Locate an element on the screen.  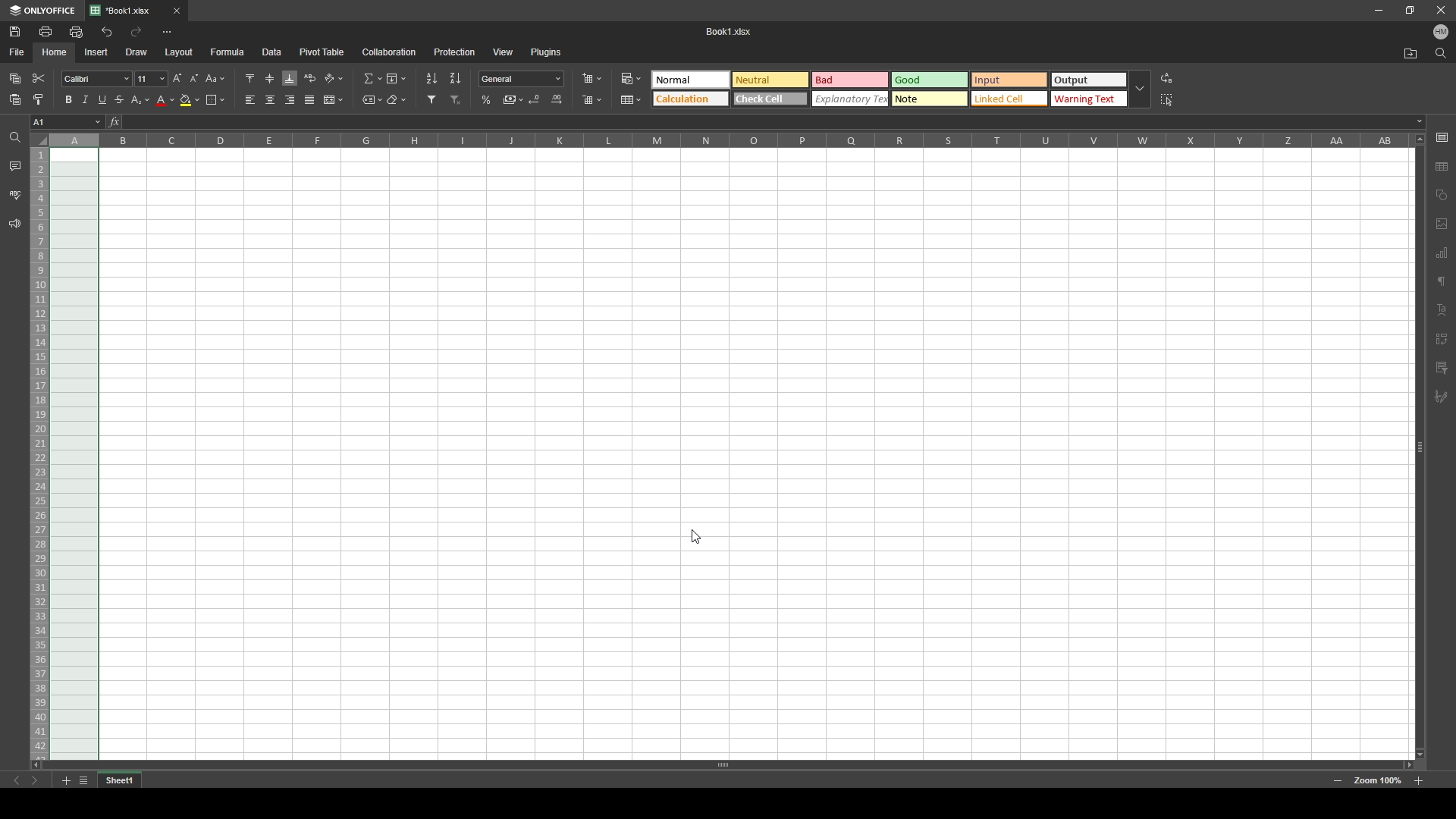
text alignment is located at coordinates (1442, 310).